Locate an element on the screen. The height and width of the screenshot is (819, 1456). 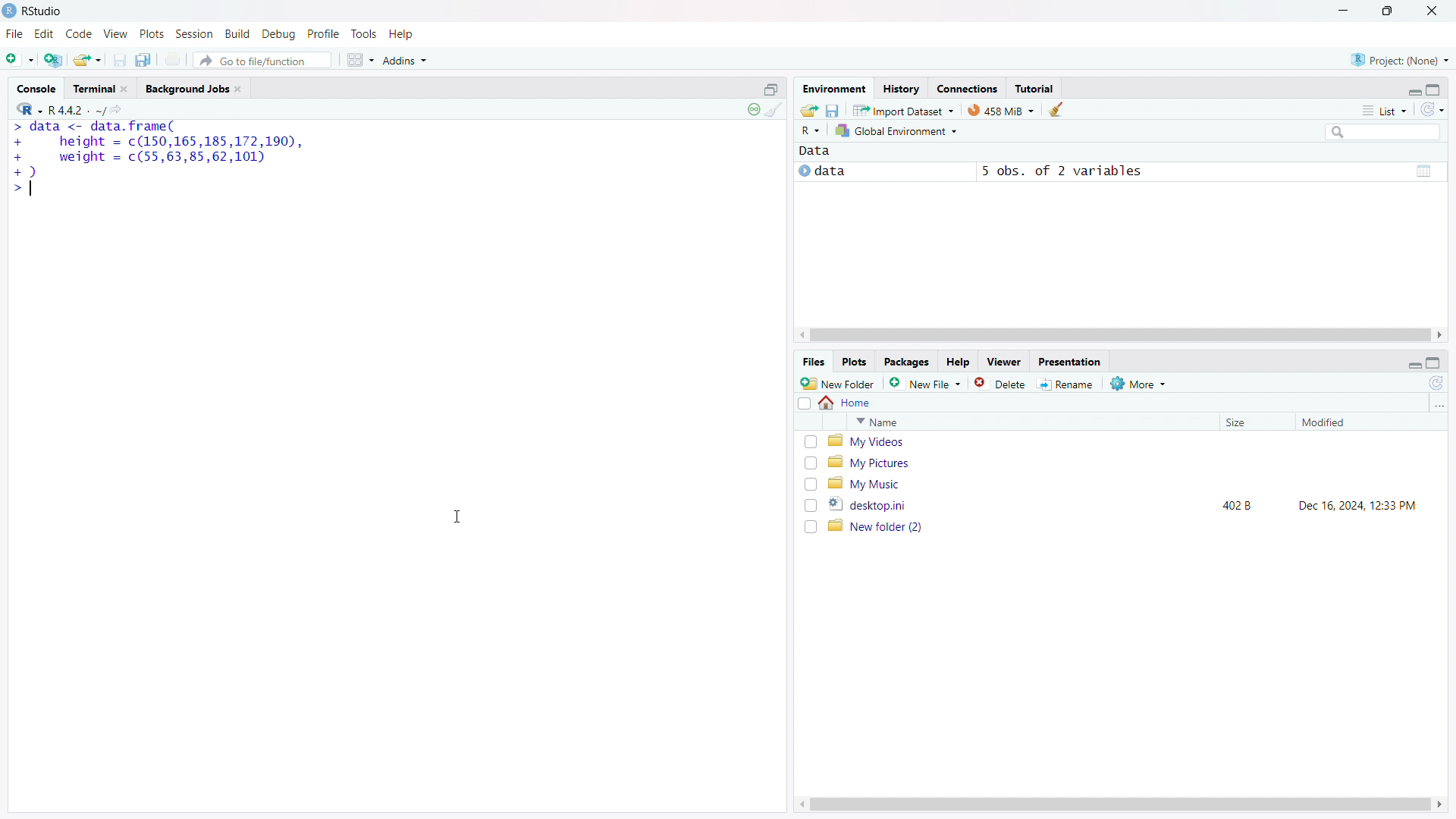
build is located at coordinates (239, 33).